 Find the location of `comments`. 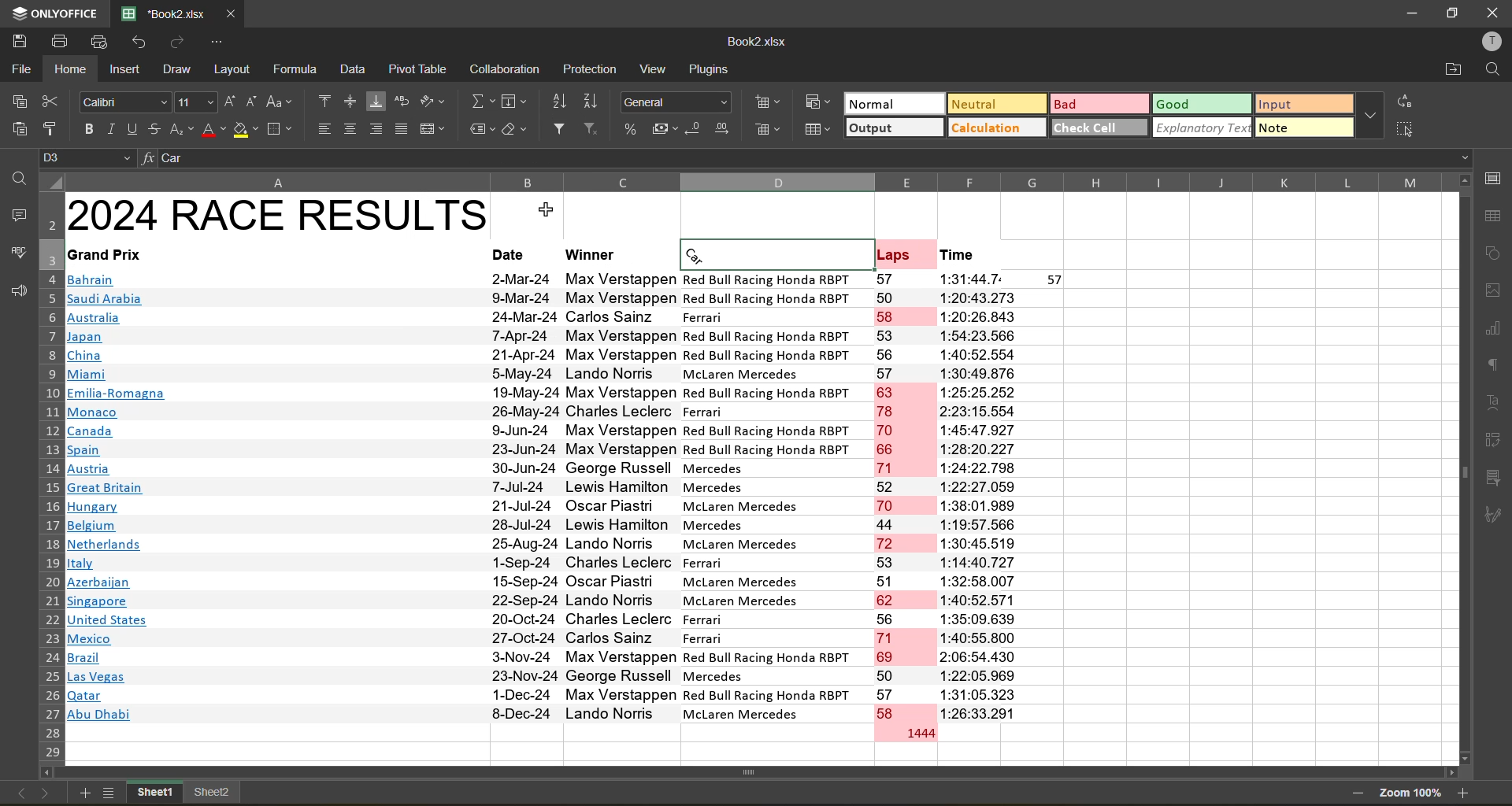

comments is located at coordinates (15, 213).